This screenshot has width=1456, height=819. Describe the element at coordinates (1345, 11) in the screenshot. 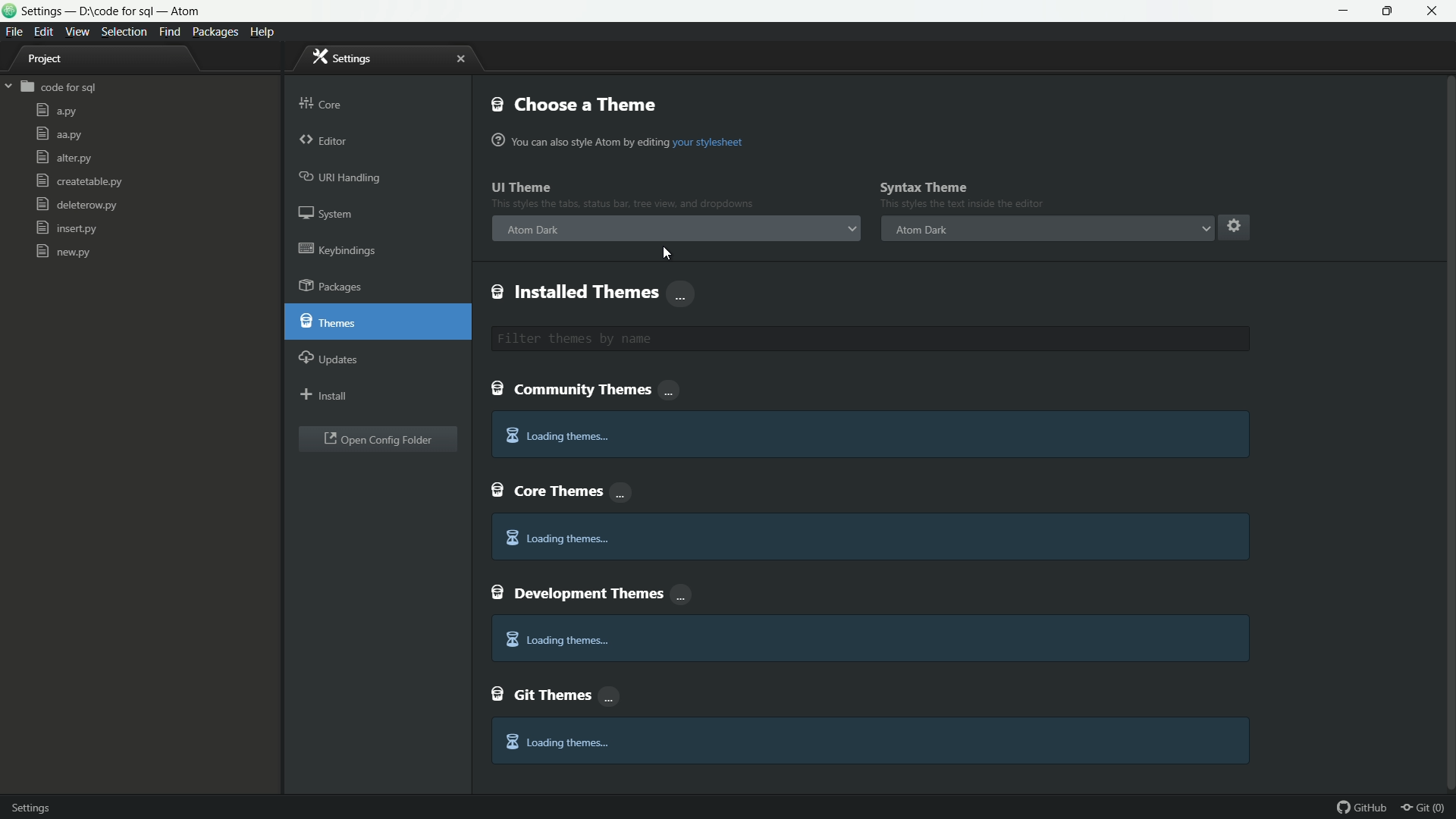

I see `minimize` at that location.